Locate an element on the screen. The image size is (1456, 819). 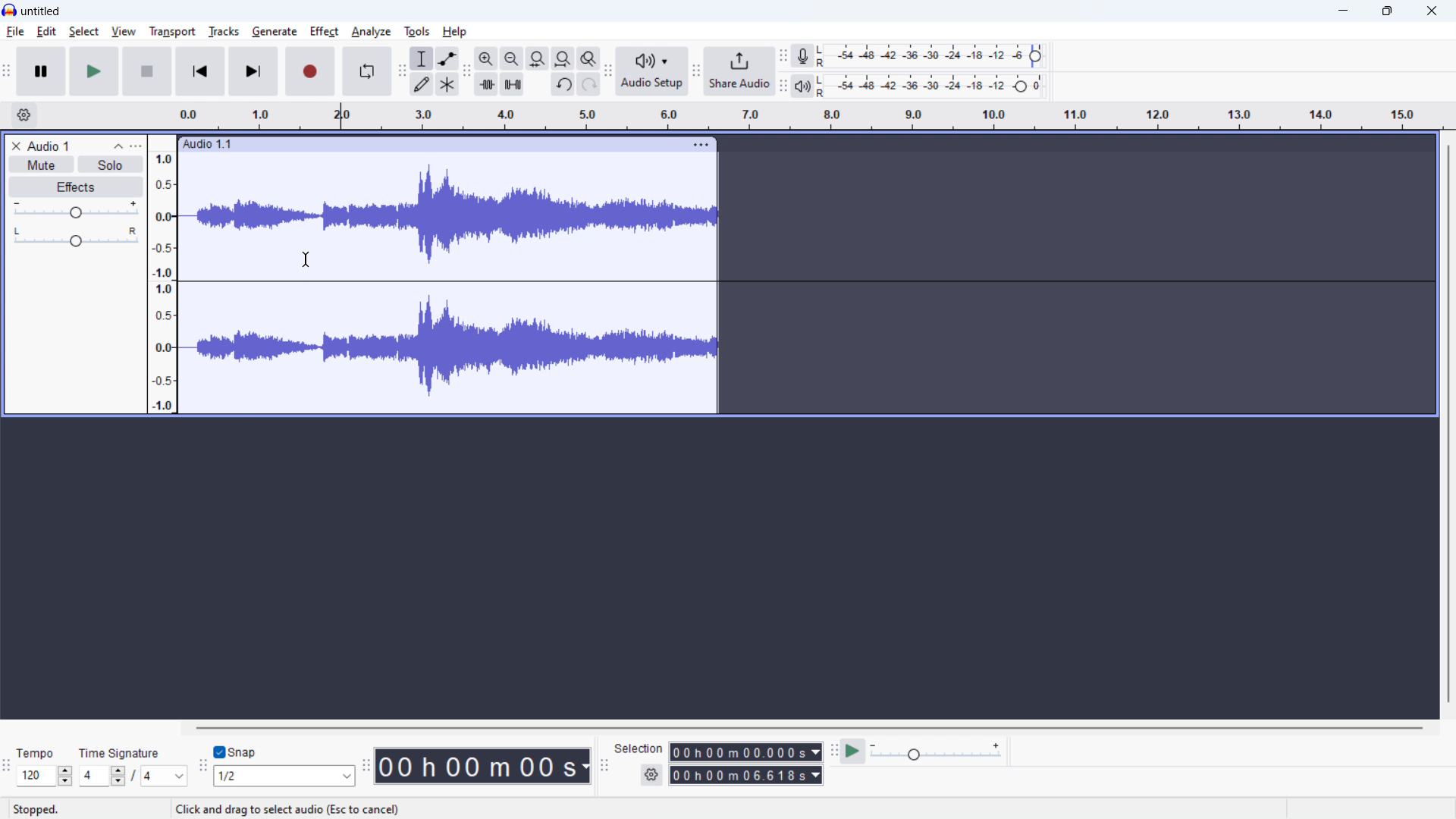
envelop is located at coordinates (447, 58).